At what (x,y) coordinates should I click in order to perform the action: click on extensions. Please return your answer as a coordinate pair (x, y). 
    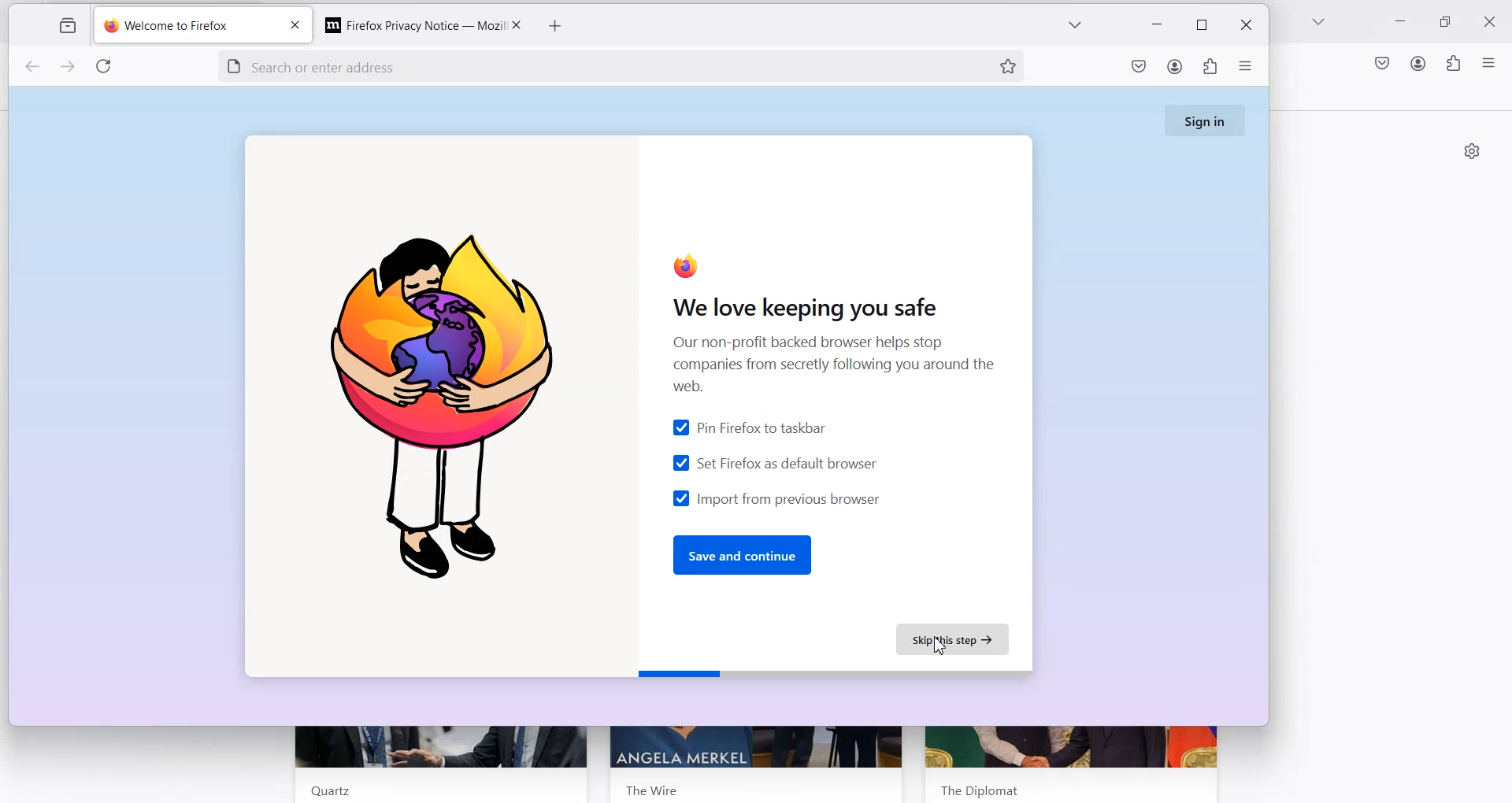
    Looking at the image, I should click on (1208, 69).